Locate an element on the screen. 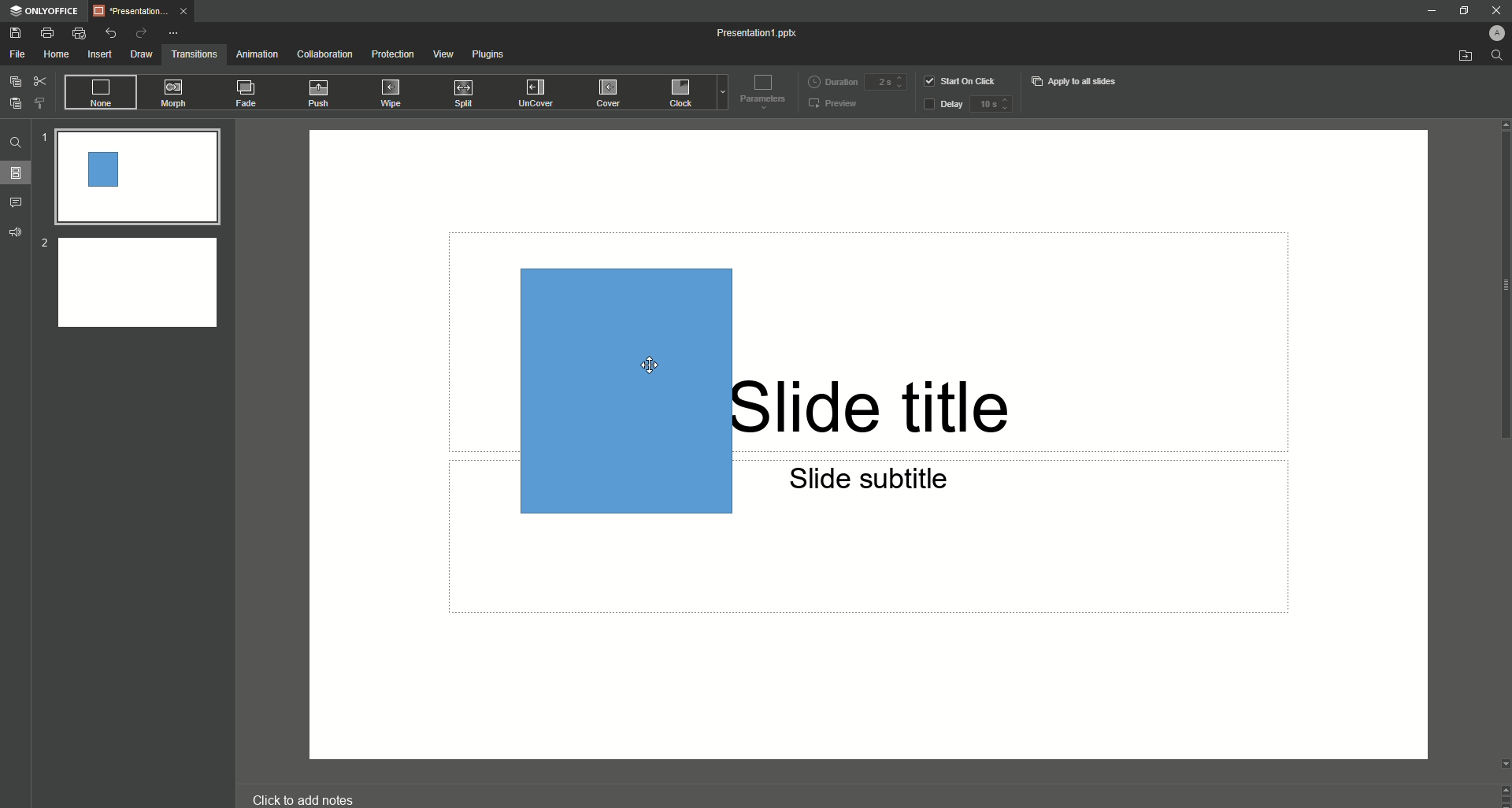 This screenshot has width=1512, height=808. Transitions is located at coordinates (194, 54).